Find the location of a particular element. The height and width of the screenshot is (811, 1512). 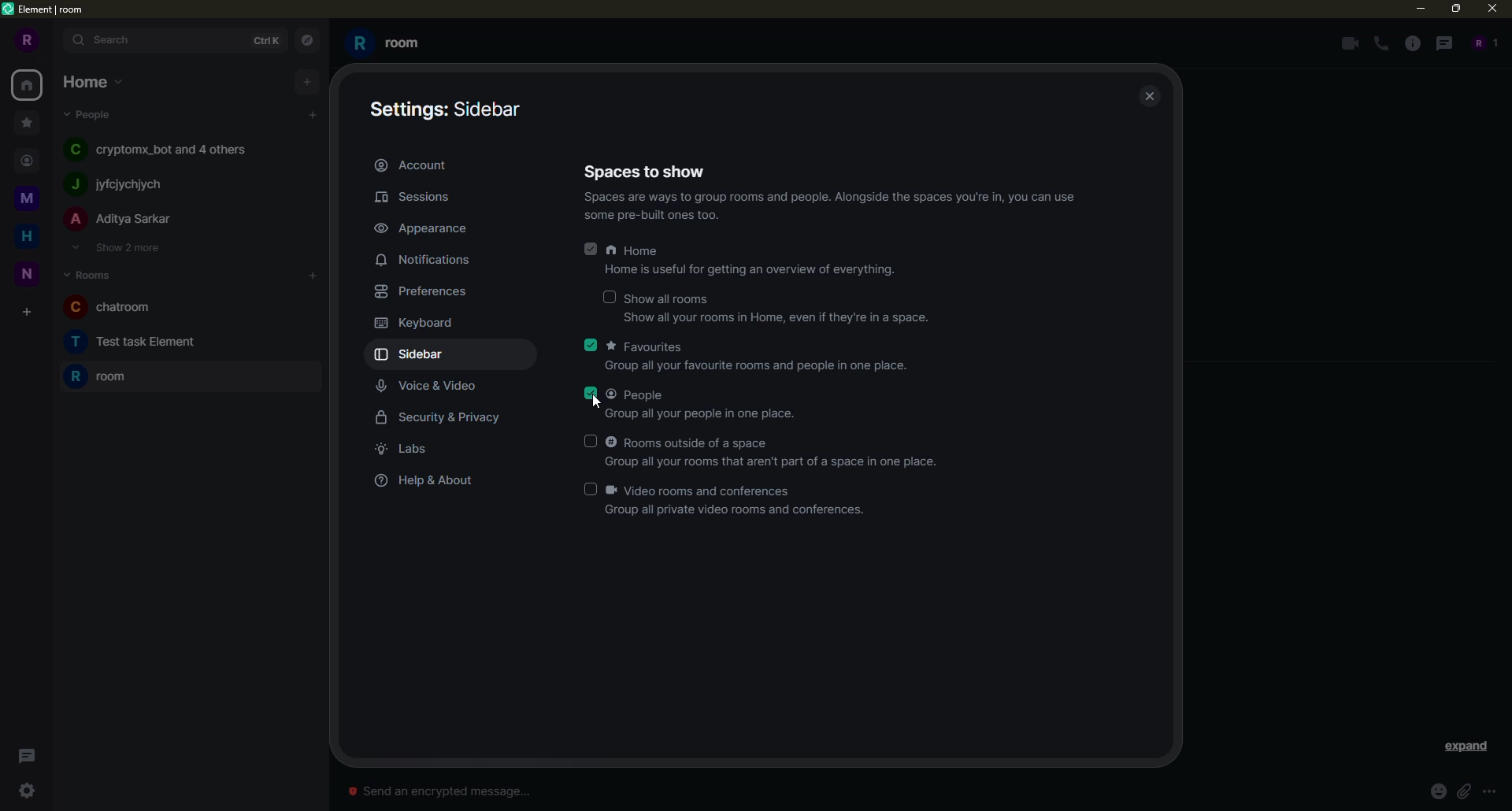

home is located at coordinates (636, 251).